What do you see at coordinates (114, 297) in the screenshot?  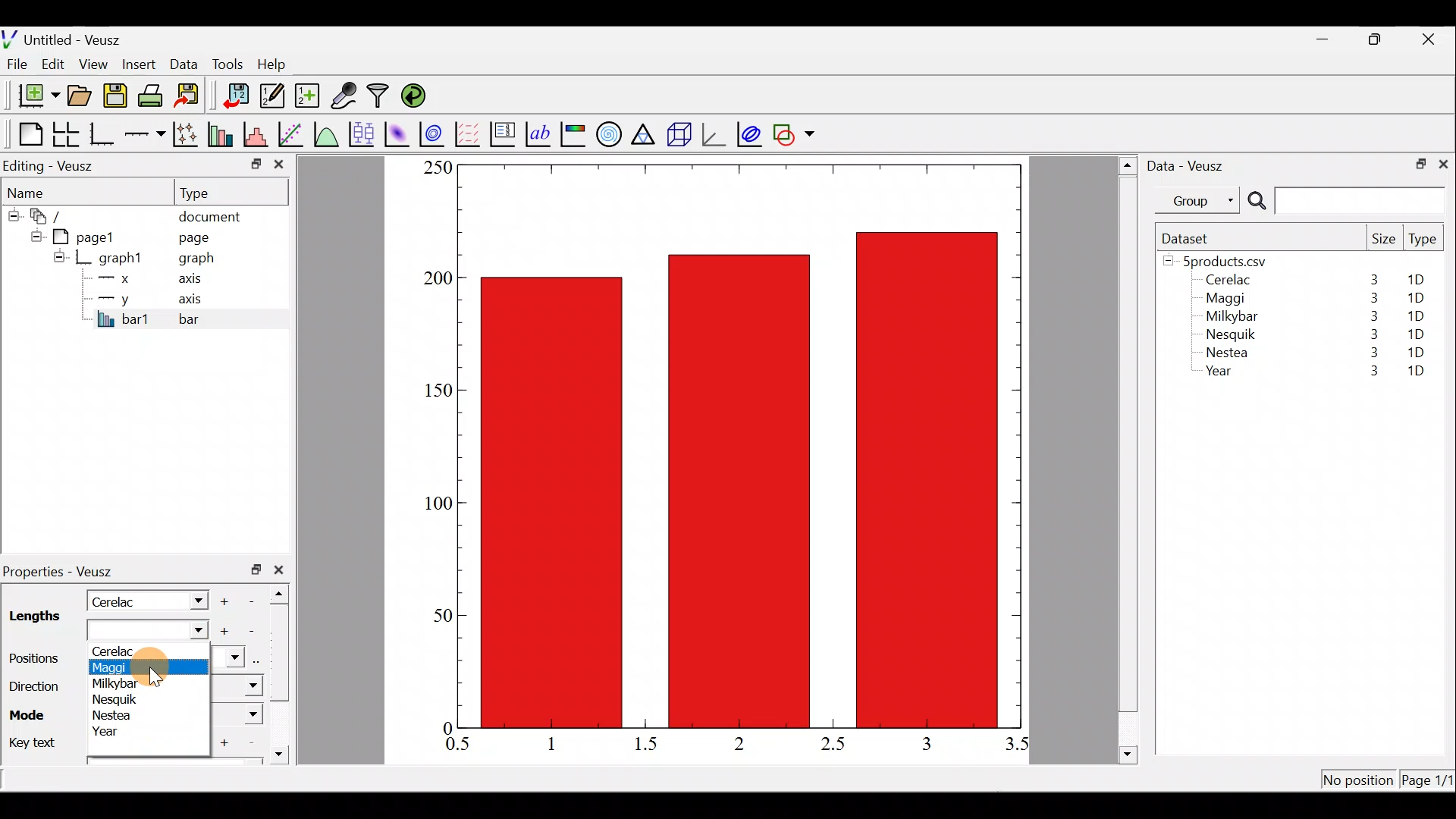 I see `y` at bounding box center [114, 297].